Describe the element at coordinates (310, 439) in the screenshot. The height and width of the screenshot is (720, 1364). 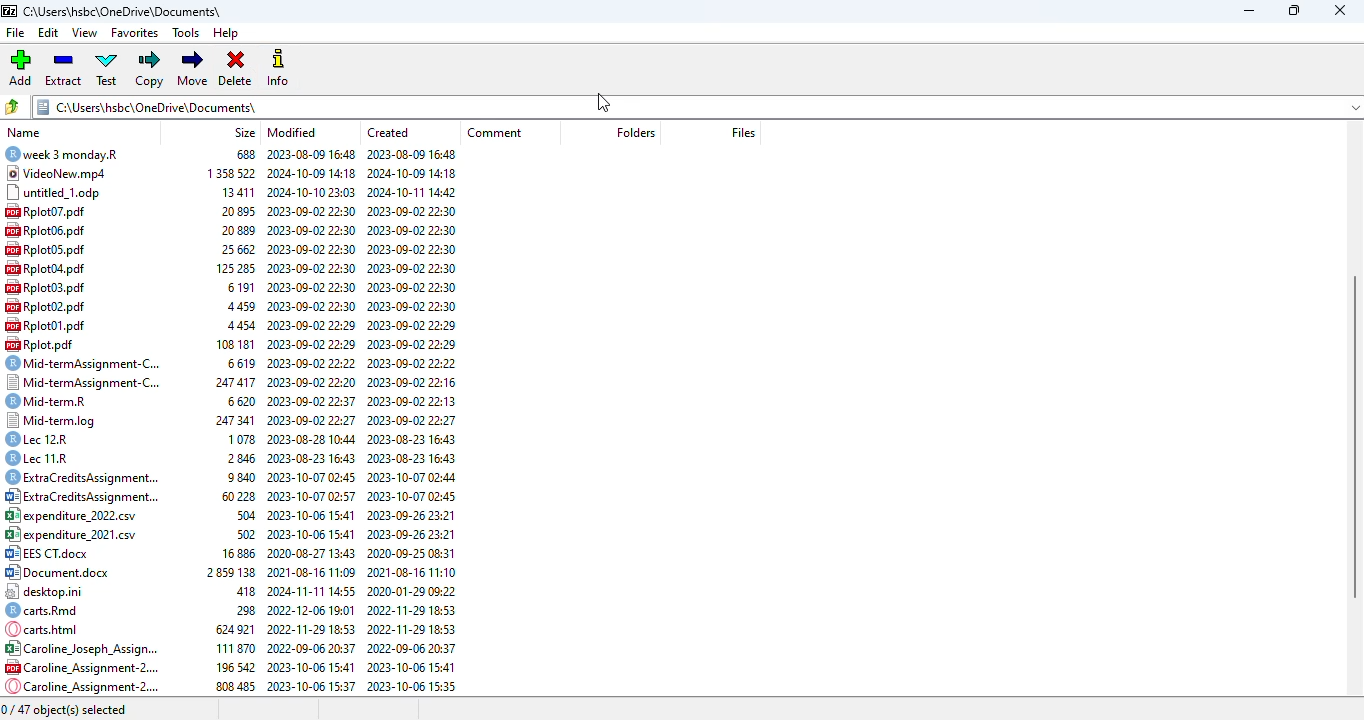
I see `2023-08-28 10:44` at that location.